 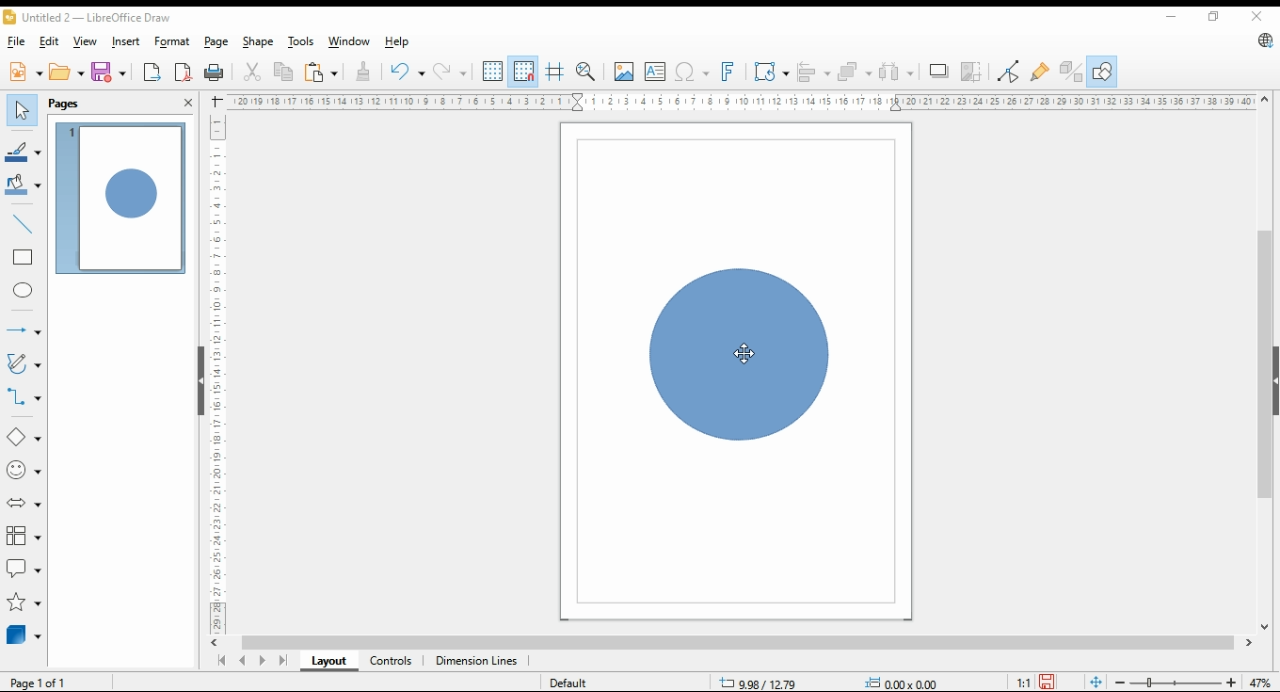 I want to click on Page 1 of 1, so click(x=46, y=683).